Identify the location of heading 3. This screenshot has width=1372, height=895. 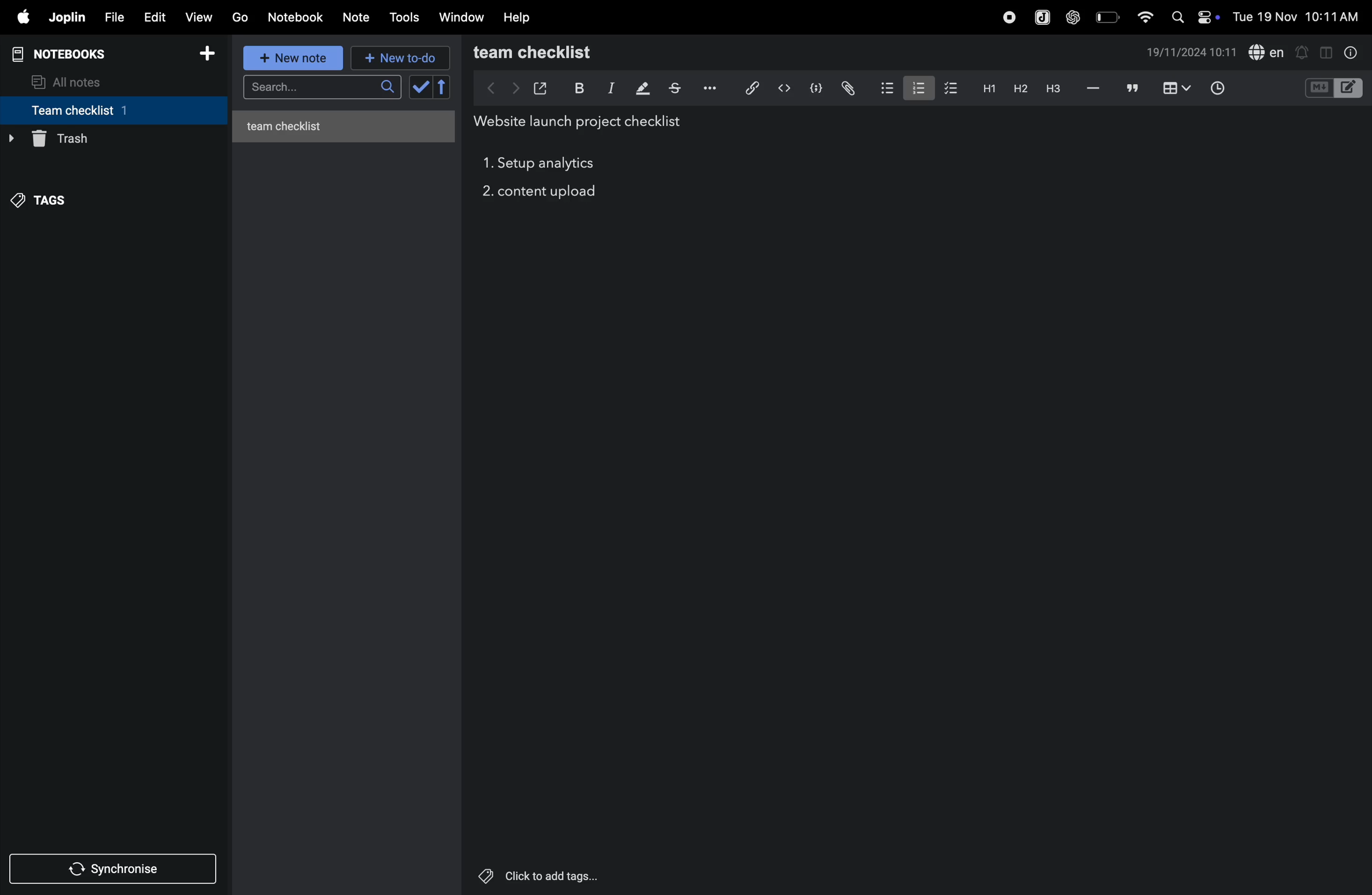
(1053, 88).